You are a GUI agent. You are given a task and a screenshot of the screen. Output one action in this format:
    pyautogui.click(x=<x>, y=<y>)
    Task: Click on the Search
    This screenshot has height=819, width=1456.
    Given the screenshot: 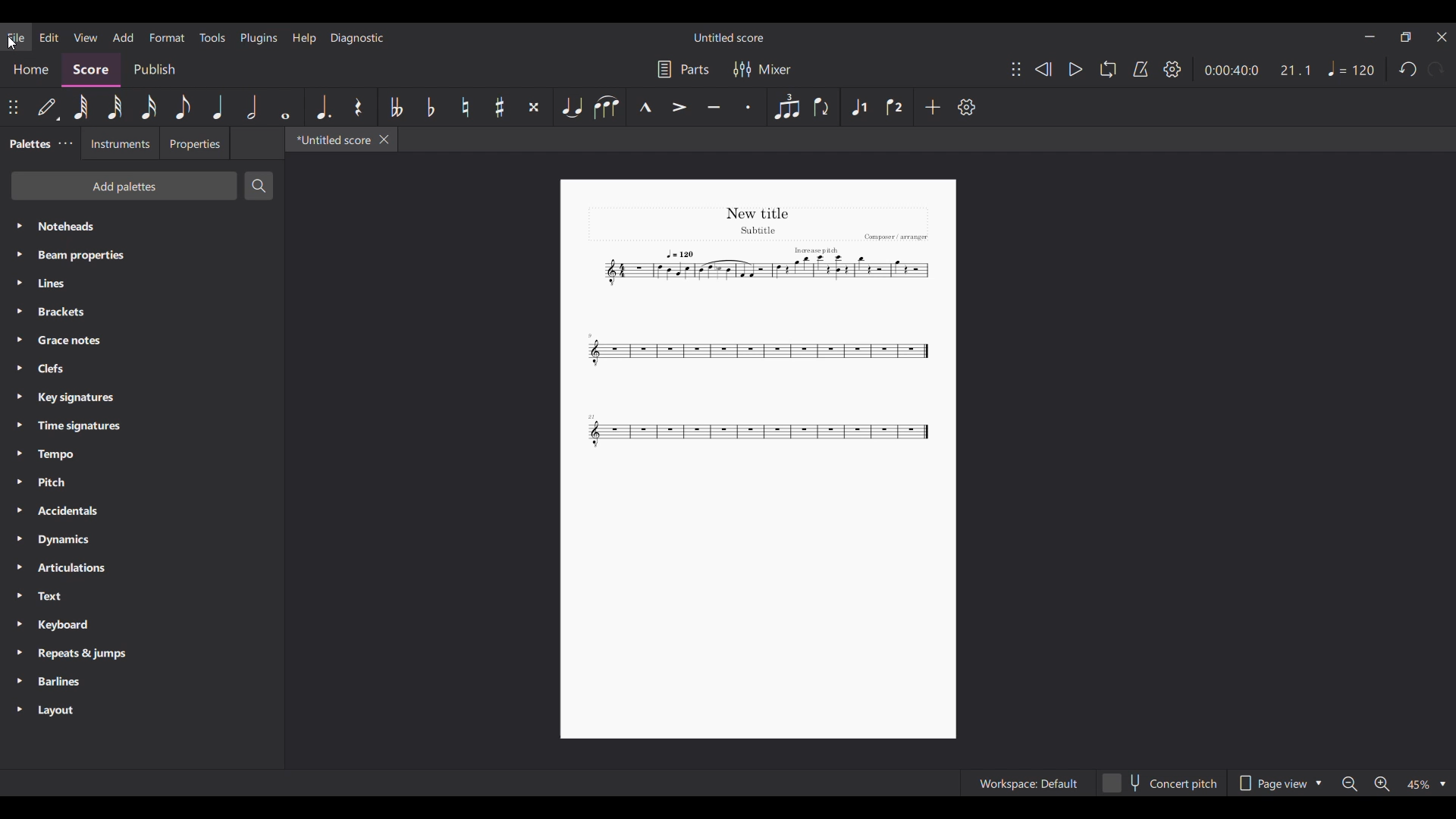 What is the action you would take?
    pyautogui.click(x=259, y=186)
    